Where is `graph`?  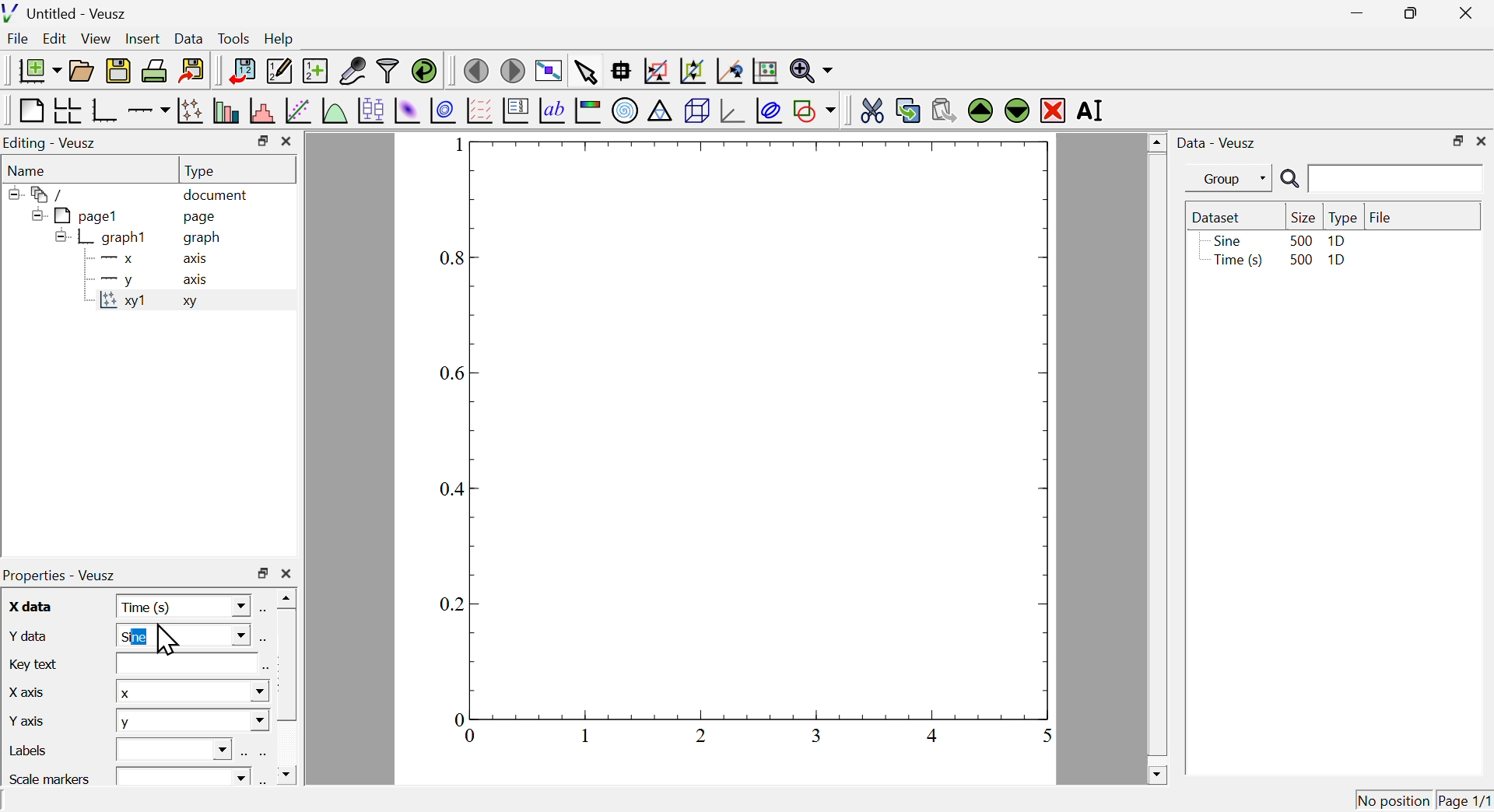 graph is located at coordinates (202, 238).